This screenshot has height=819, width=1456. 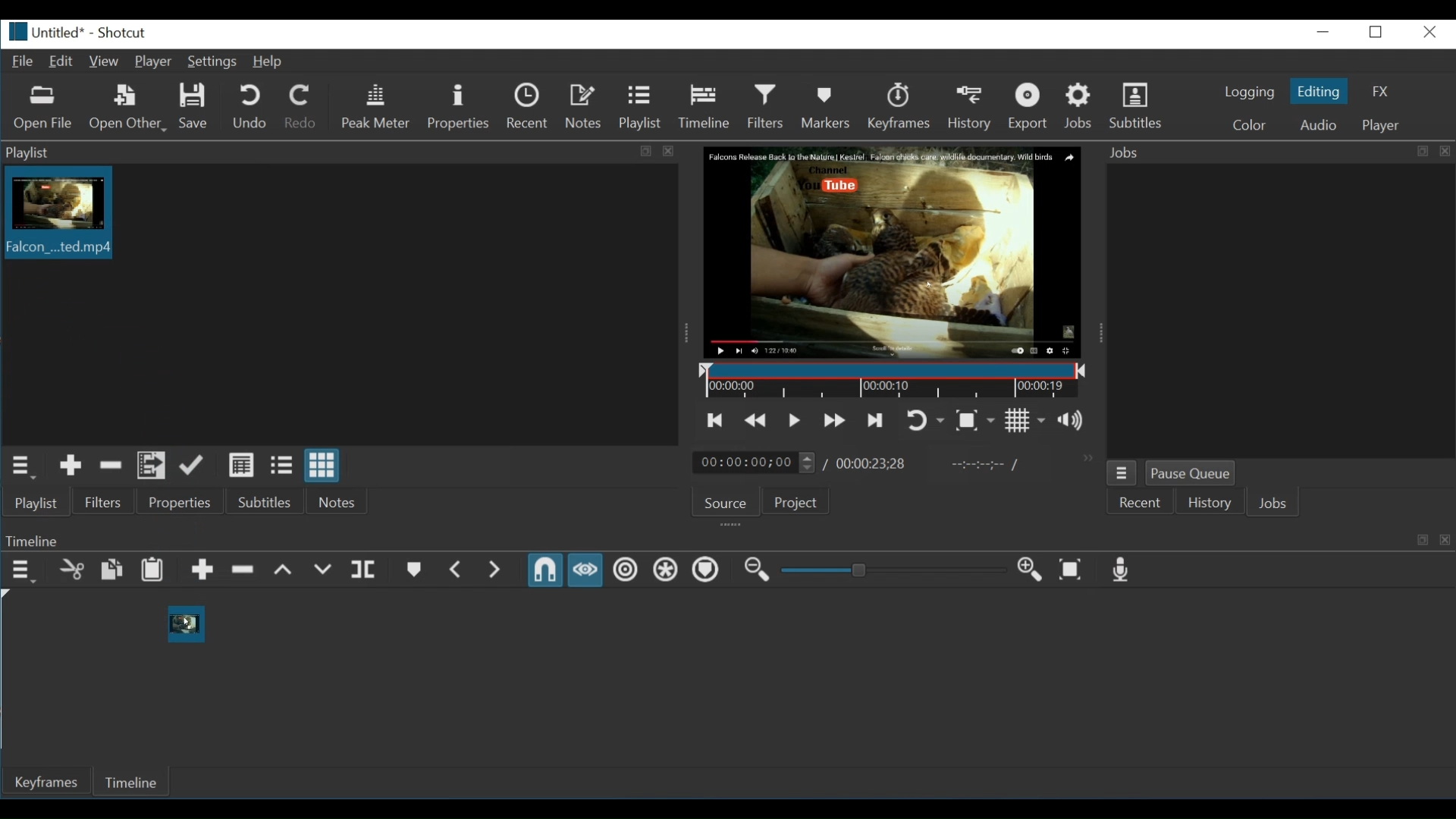 I want to click on Total Duration, so click(x=871, y=465).